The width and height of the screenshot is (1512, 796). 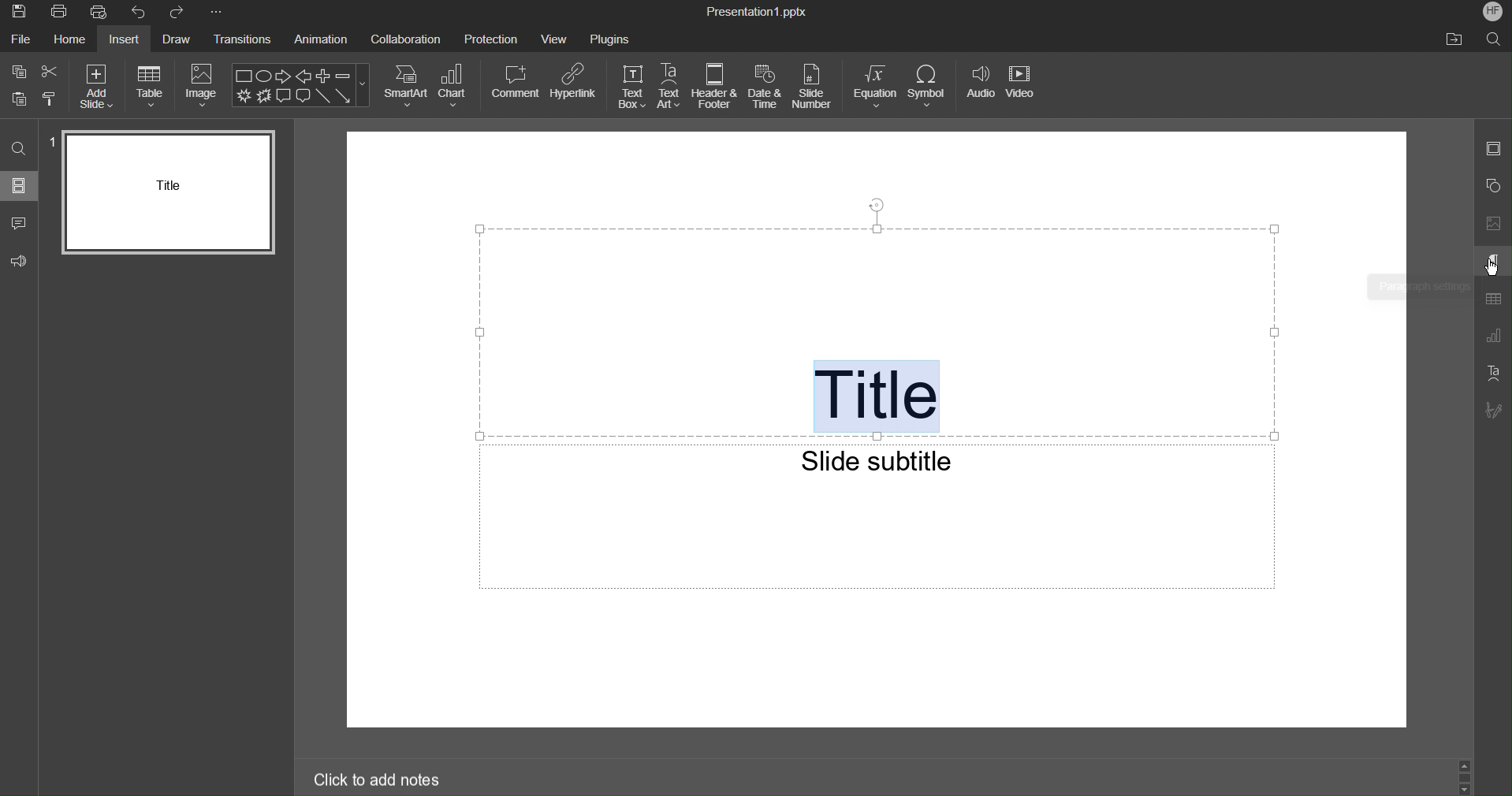 I want to click on Insert, so click(x=122, y=40).